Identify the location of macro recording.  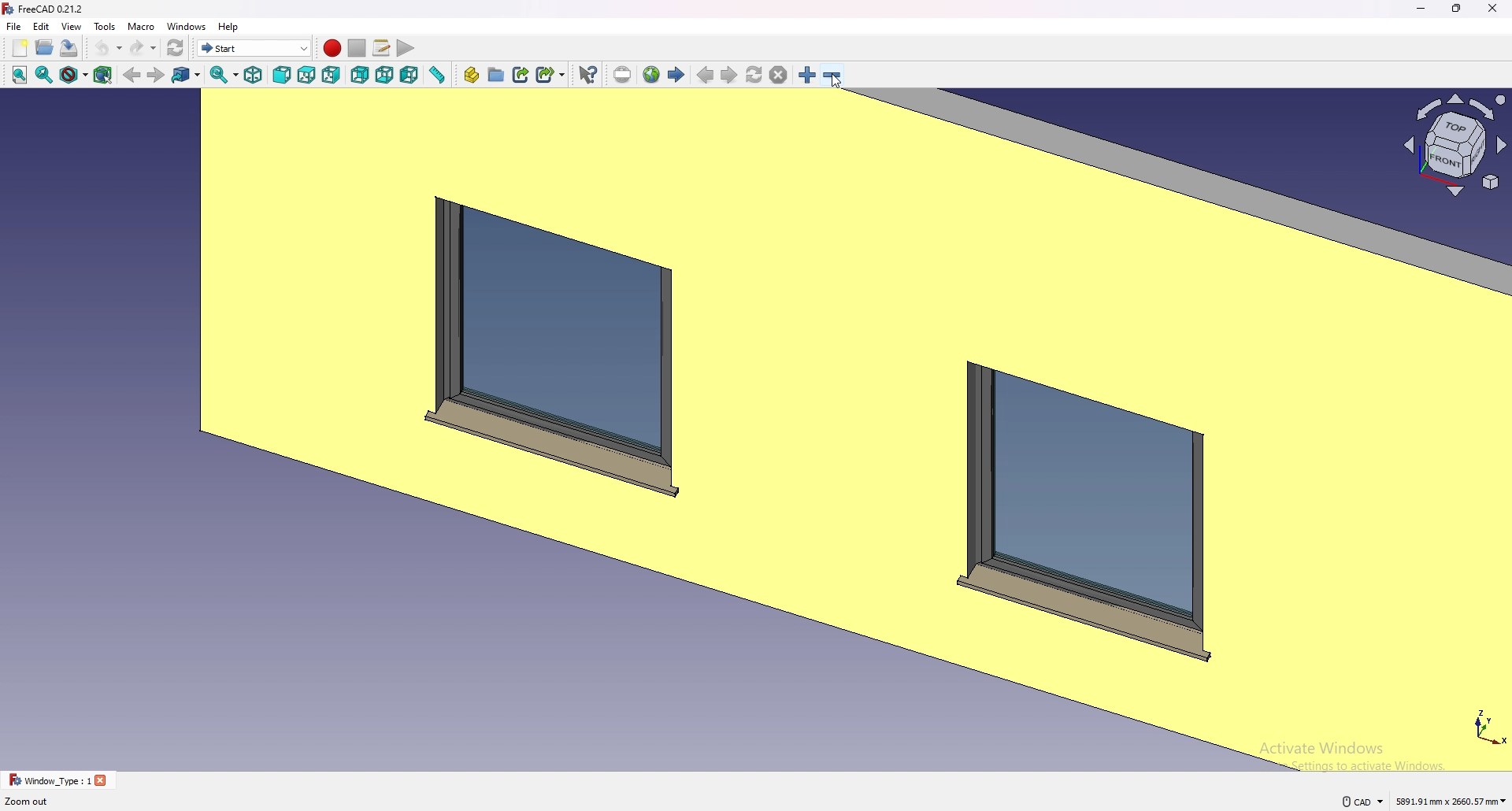
(332, 48).